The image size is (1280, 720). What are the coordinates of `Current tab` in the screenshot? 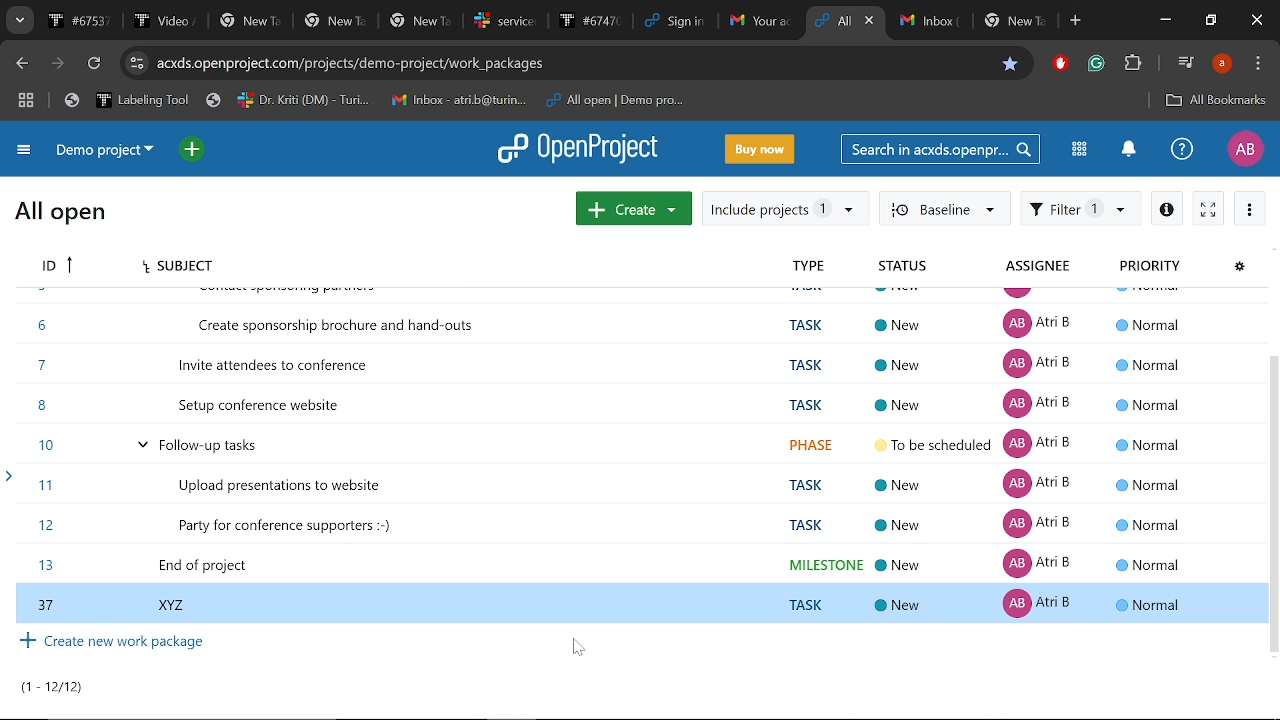 It's located at (832, 21).